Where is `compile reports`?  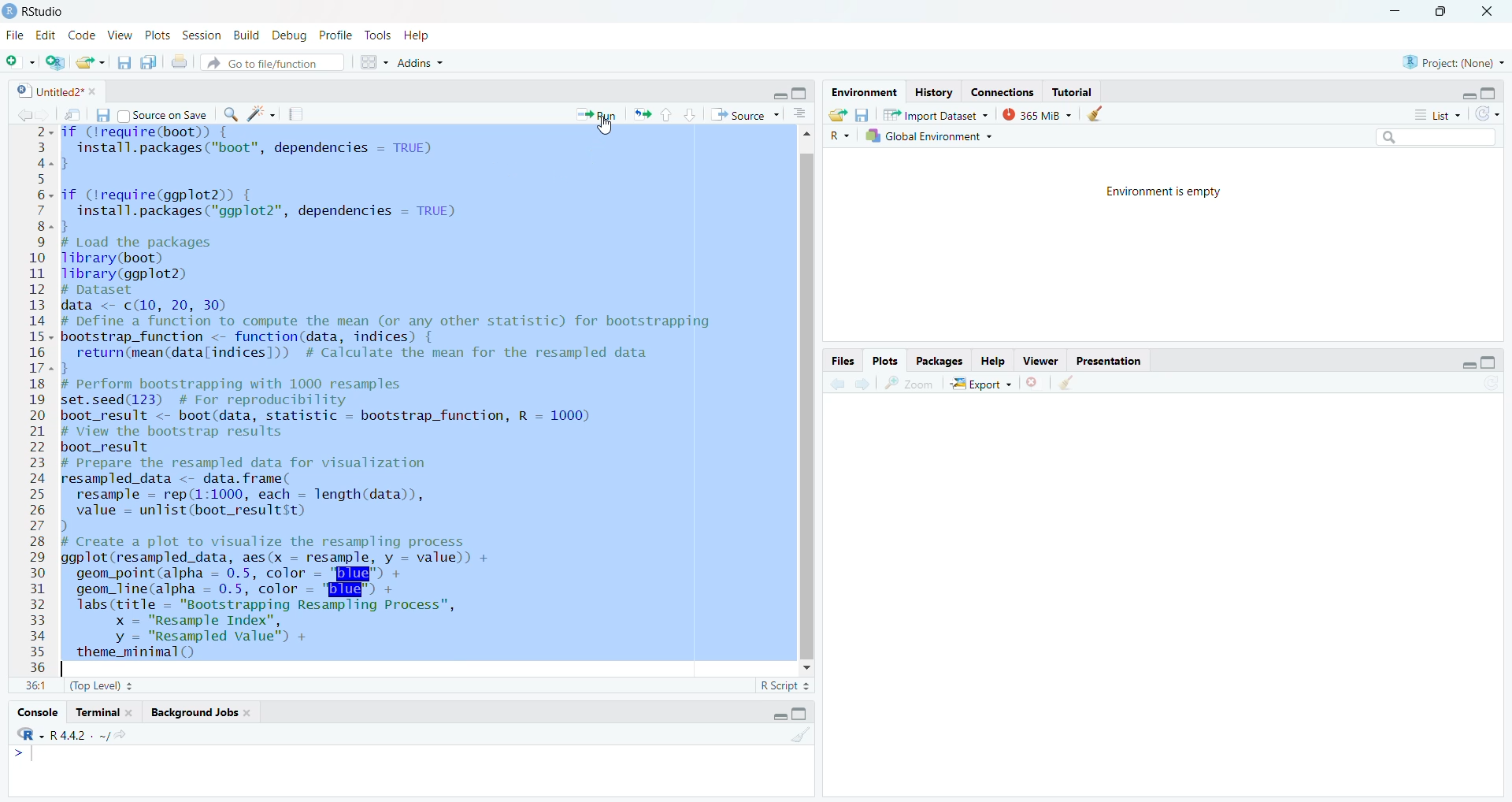 compile reports is located at coordinates (299, 114).